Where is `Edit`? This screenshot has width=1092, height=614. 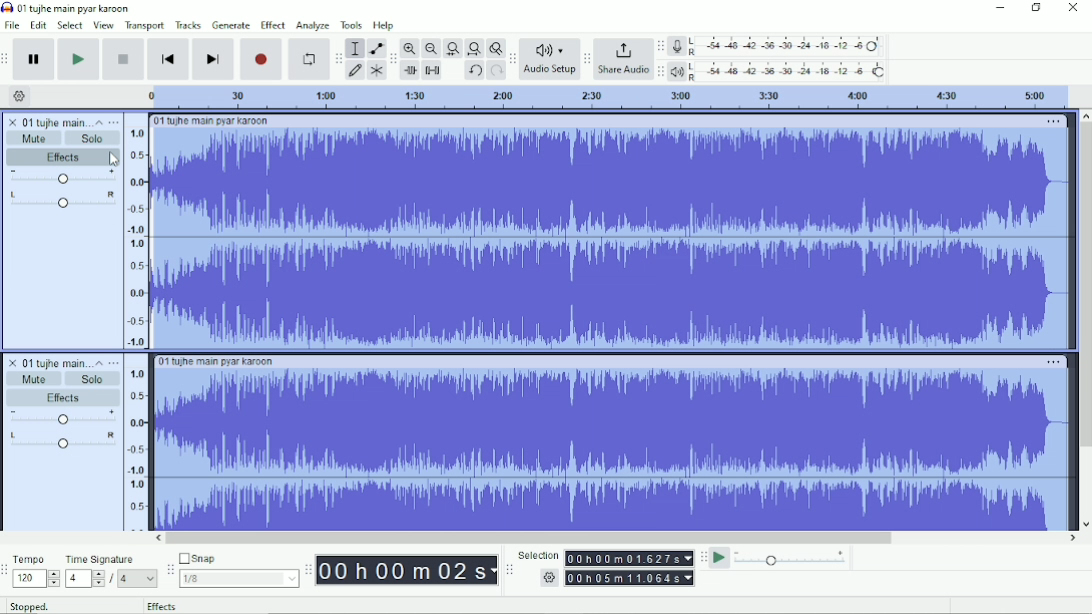 Edit is located at coordinates (39, 26).